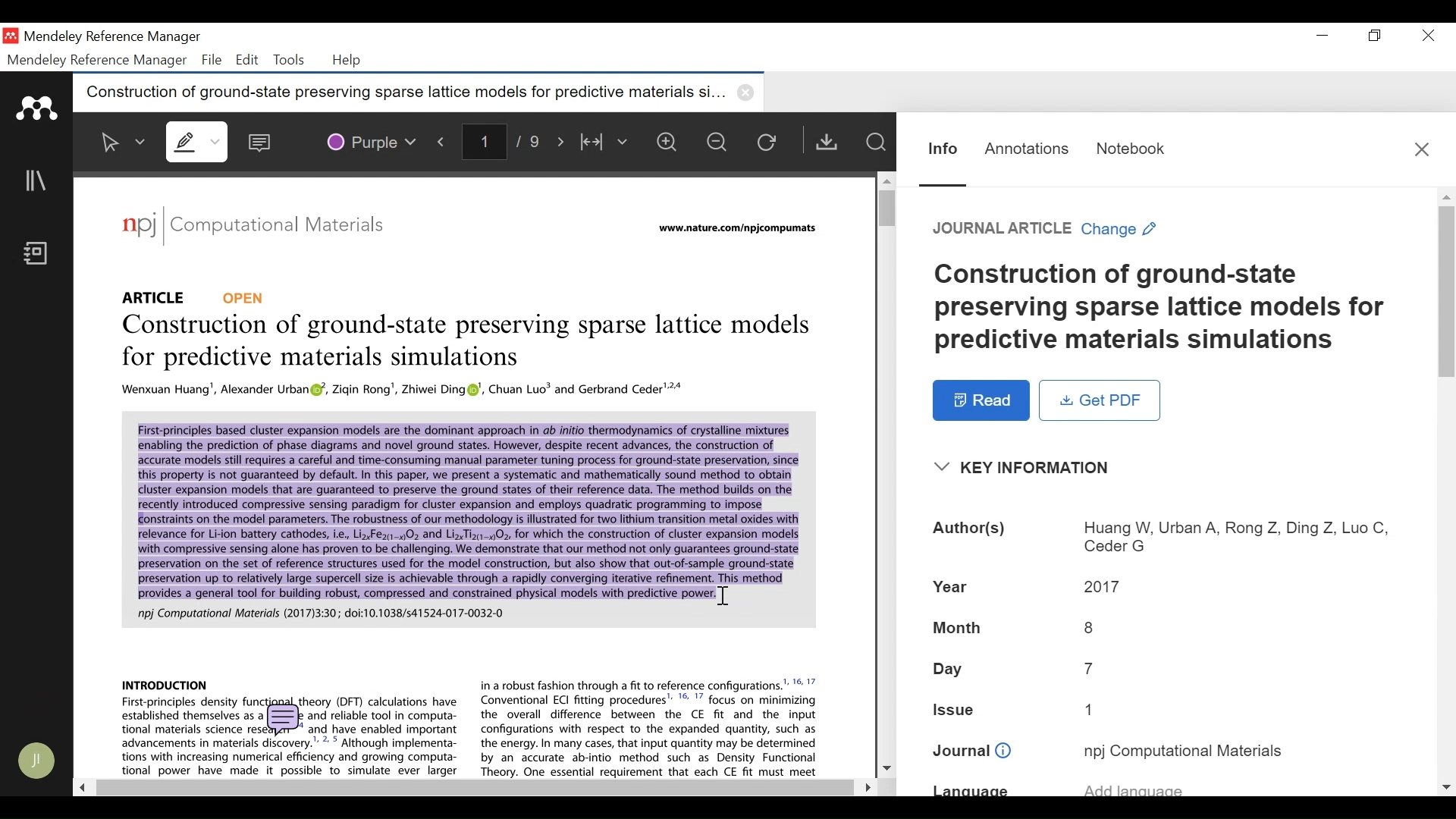 The width and height of the screenshot is (1456, 819). Describe the element at coordinates (886, 766) in the screenshot. I see `Scroll down` at that location.